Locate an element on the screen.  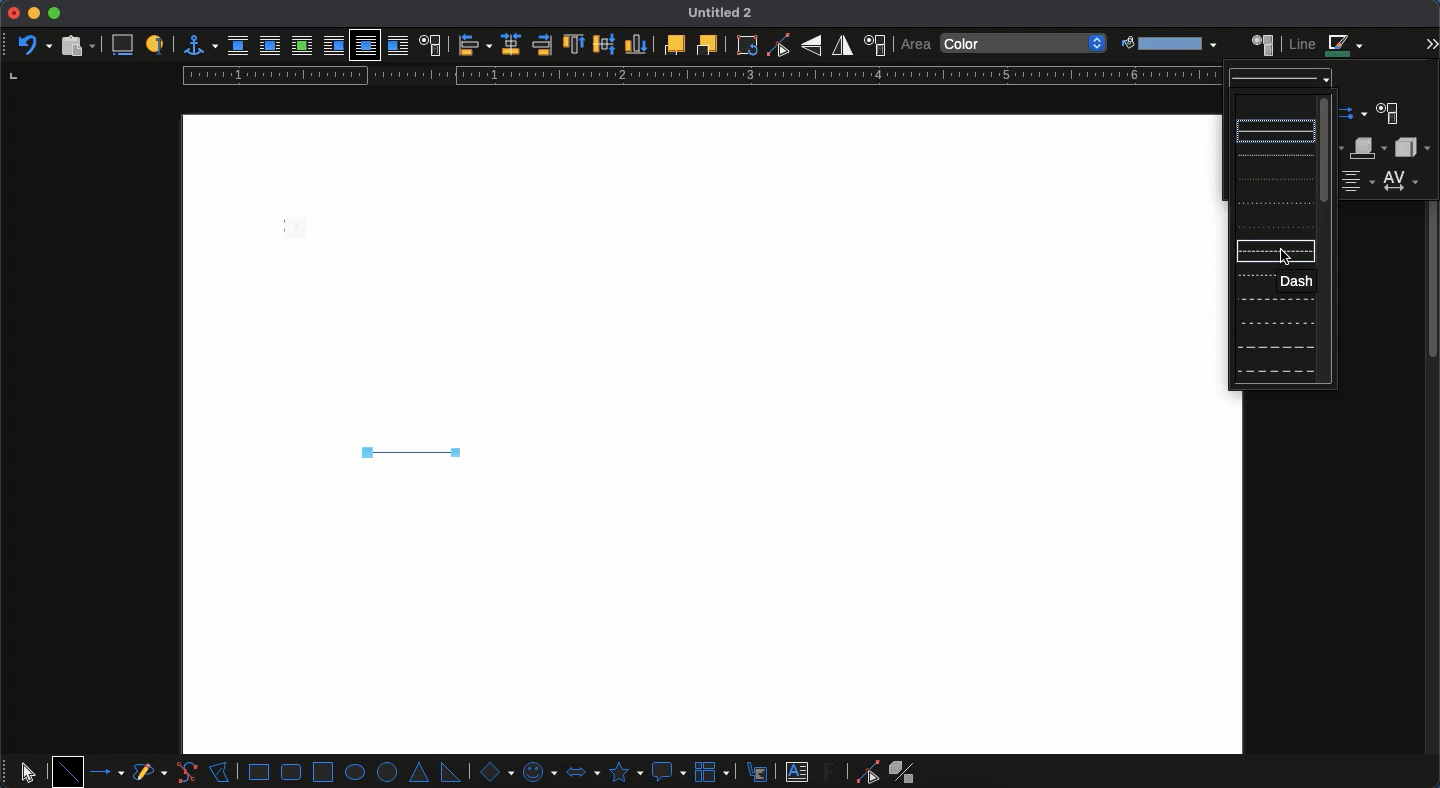
Dash is located at coordinates (1255, 251).